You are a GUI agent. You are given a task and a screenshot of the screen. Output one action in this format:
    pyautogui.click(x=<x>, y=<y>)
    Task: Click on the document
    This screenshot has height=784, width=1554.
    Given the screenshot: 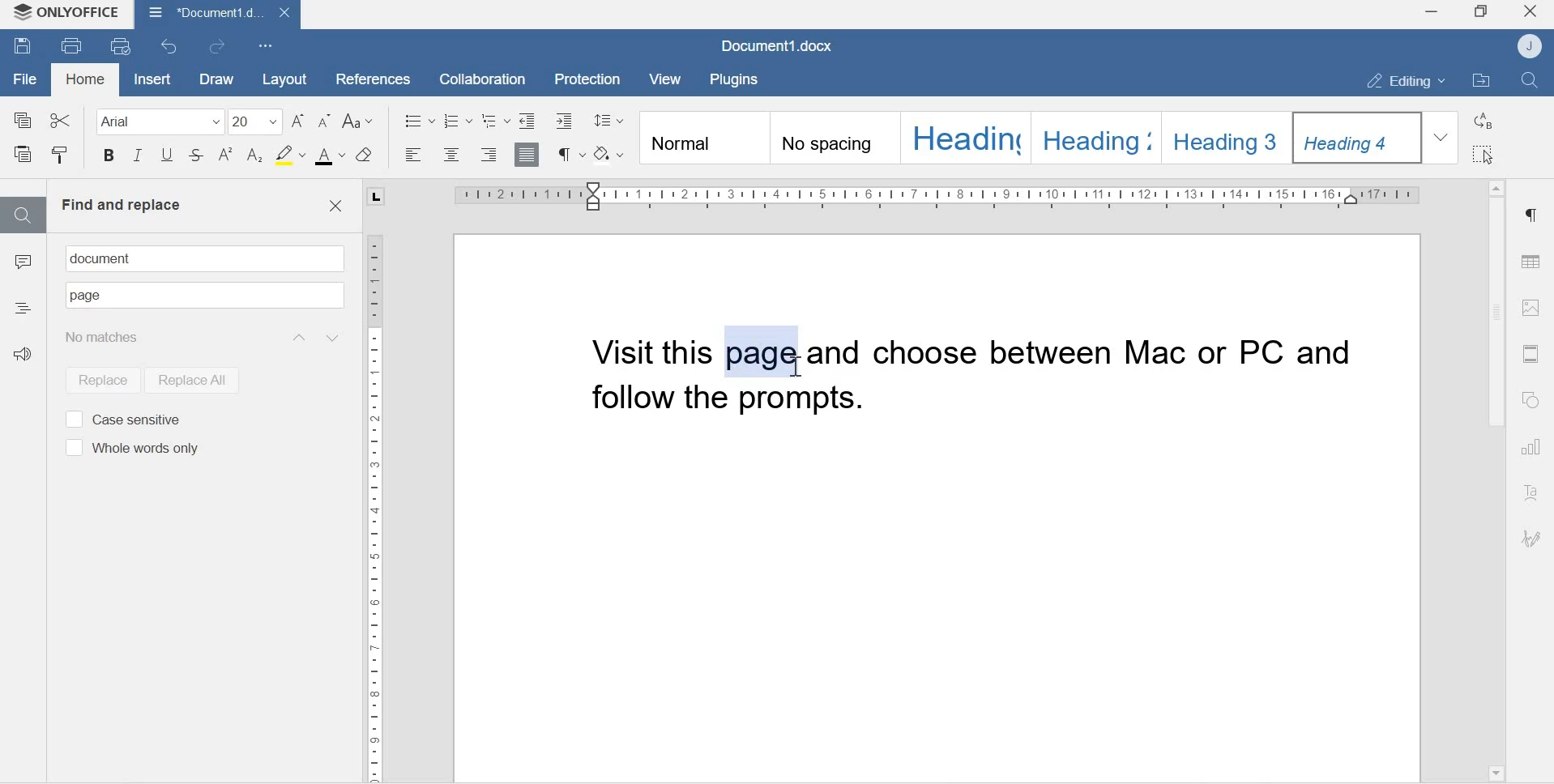 What is the action you would take?
    pyautogui.click(x=107, y=258)
    